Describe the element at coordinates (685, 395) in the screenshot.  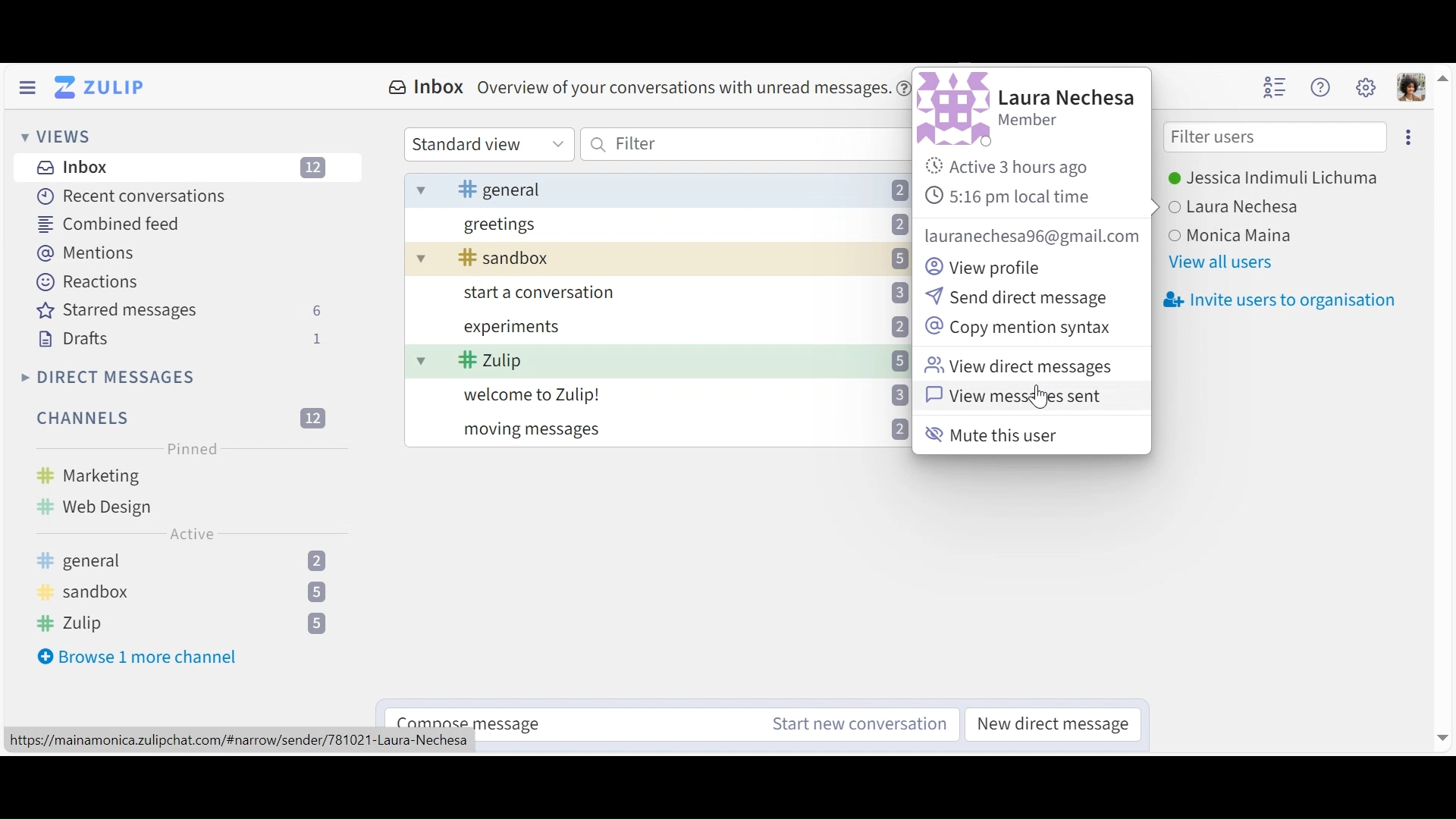
I see `welcome to Zulip!` at that location.